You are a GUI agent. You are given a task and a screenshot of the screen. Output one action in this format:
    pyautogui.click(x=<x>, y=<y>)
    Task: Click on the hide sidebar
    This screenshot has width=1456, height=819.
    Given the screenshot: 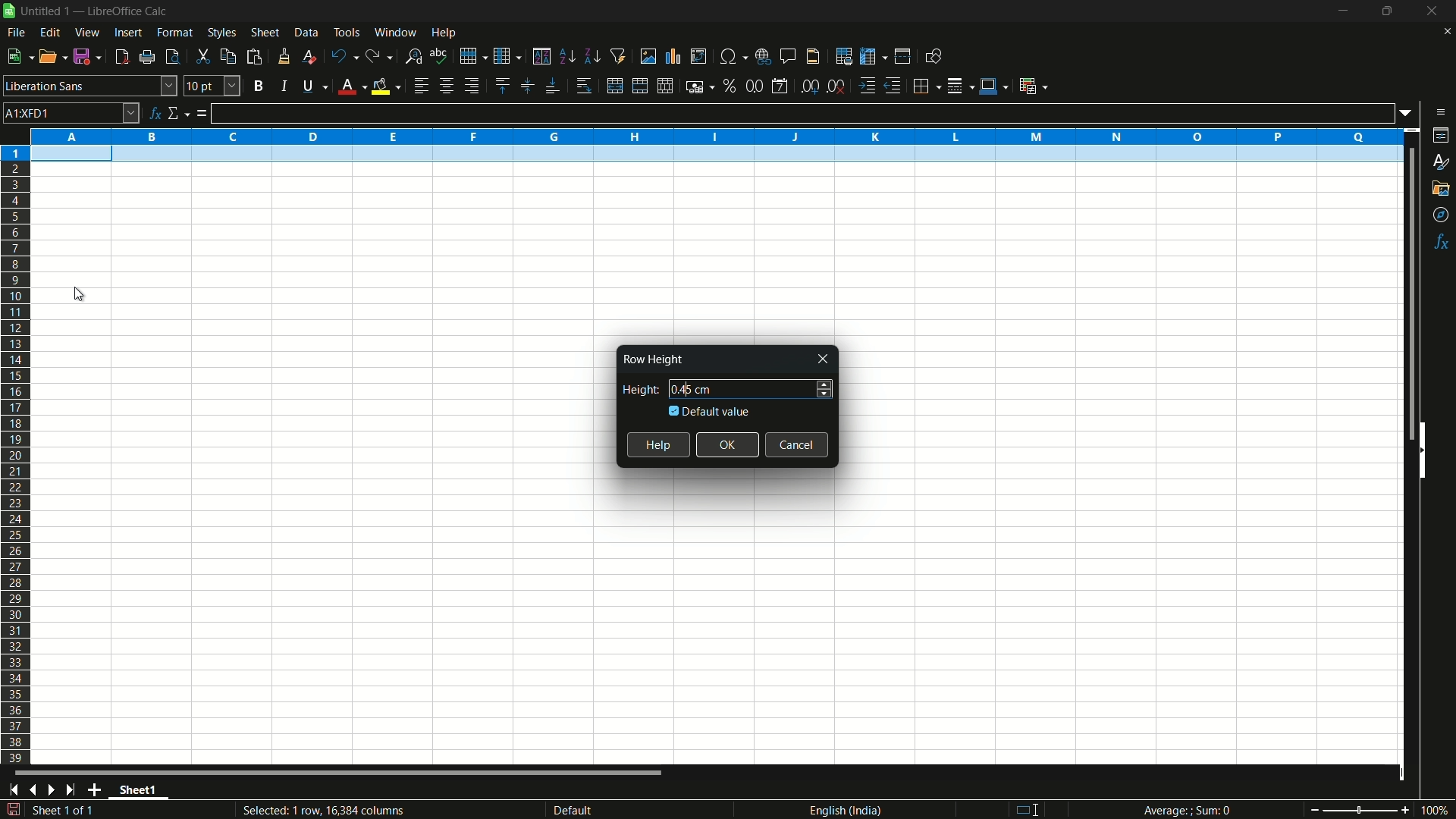 What is the action you would take?
    pyautogui.click(x=1429, y=449)
    